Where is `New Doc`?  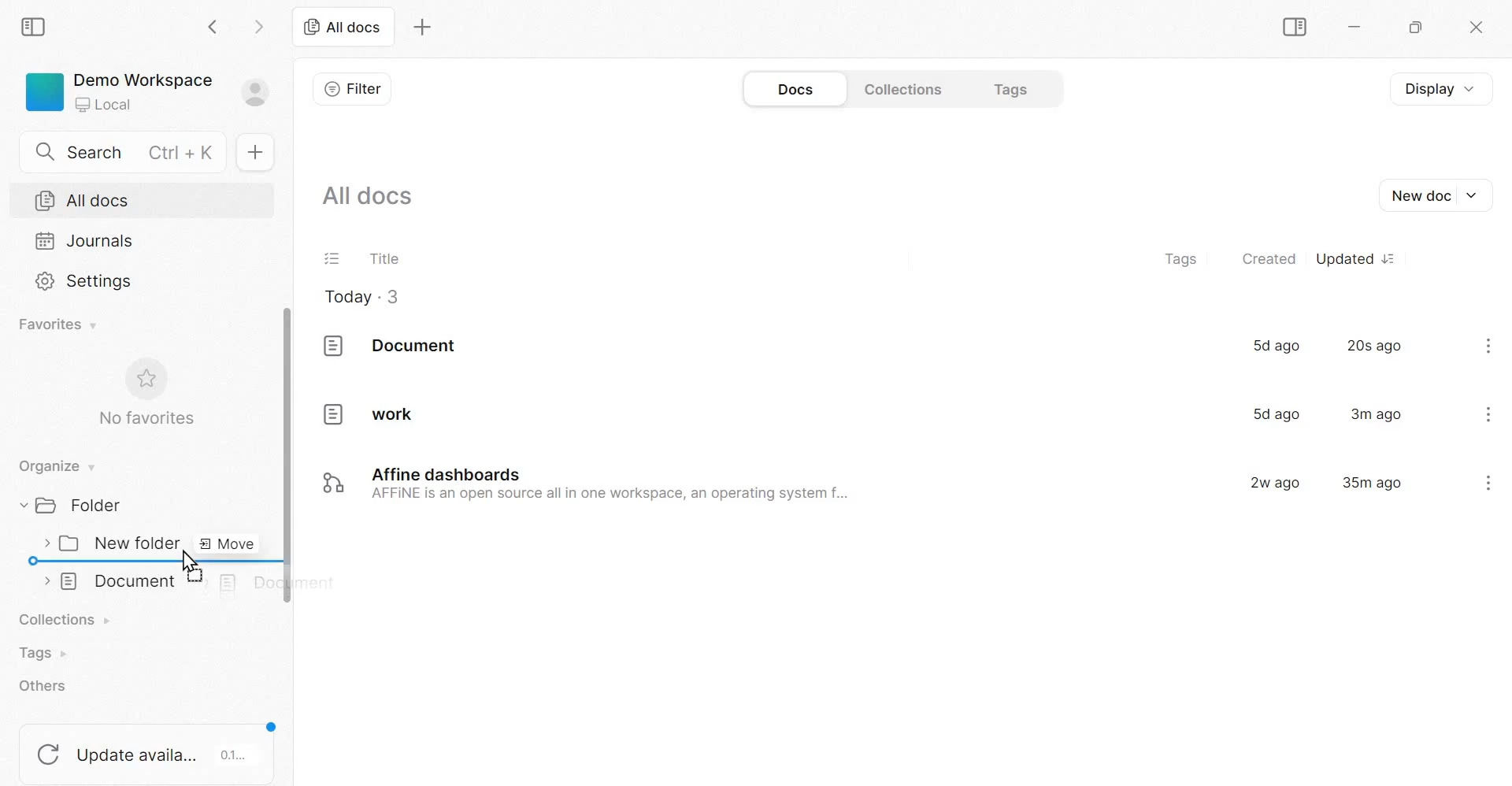
New Doc is located at coordinates (1443, 195).